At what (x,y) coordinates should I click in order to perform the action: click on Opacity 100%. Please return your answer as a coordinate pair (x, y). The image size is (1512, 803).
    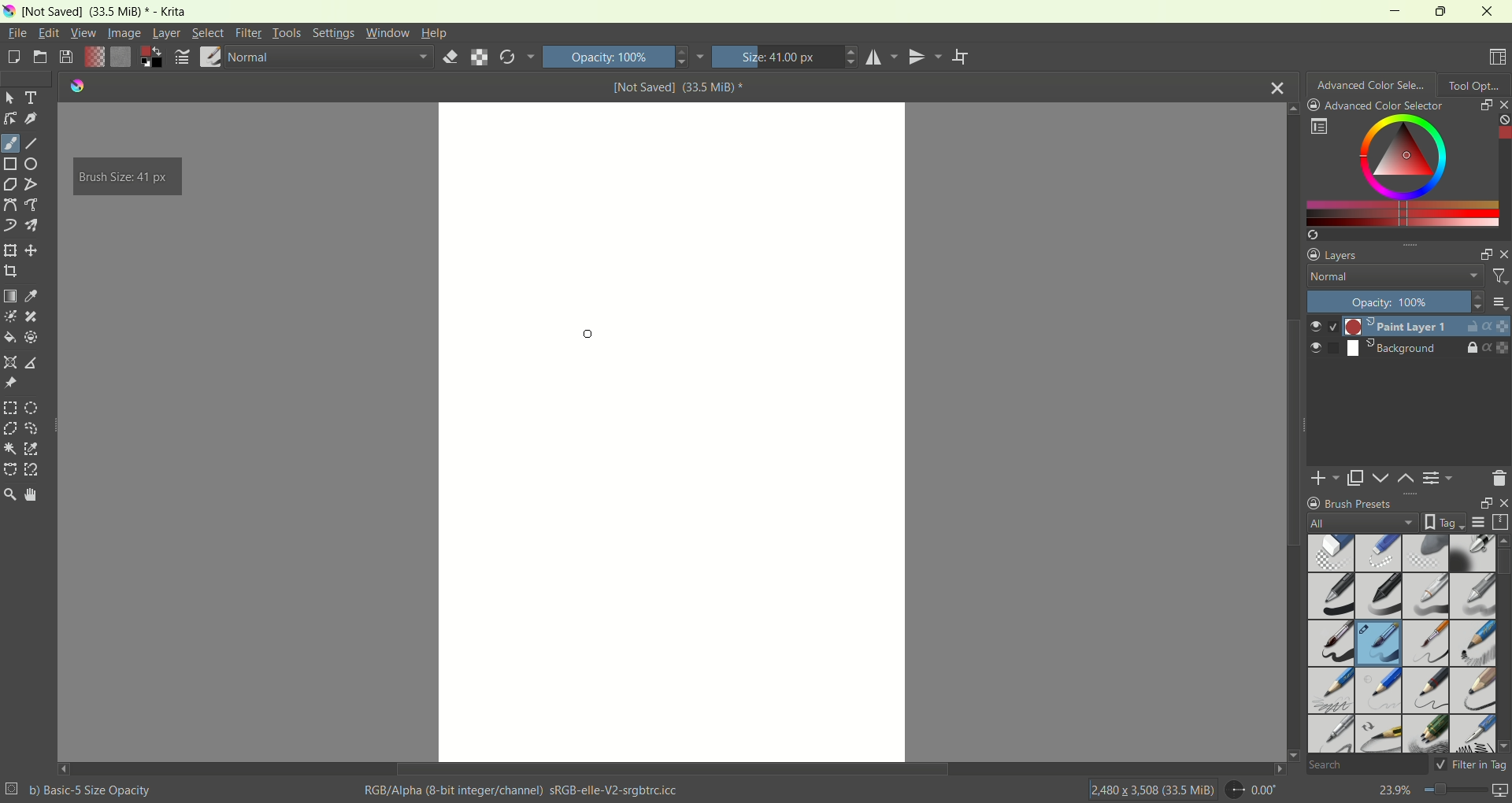
    Looking at the image, I should click on (622, 57).